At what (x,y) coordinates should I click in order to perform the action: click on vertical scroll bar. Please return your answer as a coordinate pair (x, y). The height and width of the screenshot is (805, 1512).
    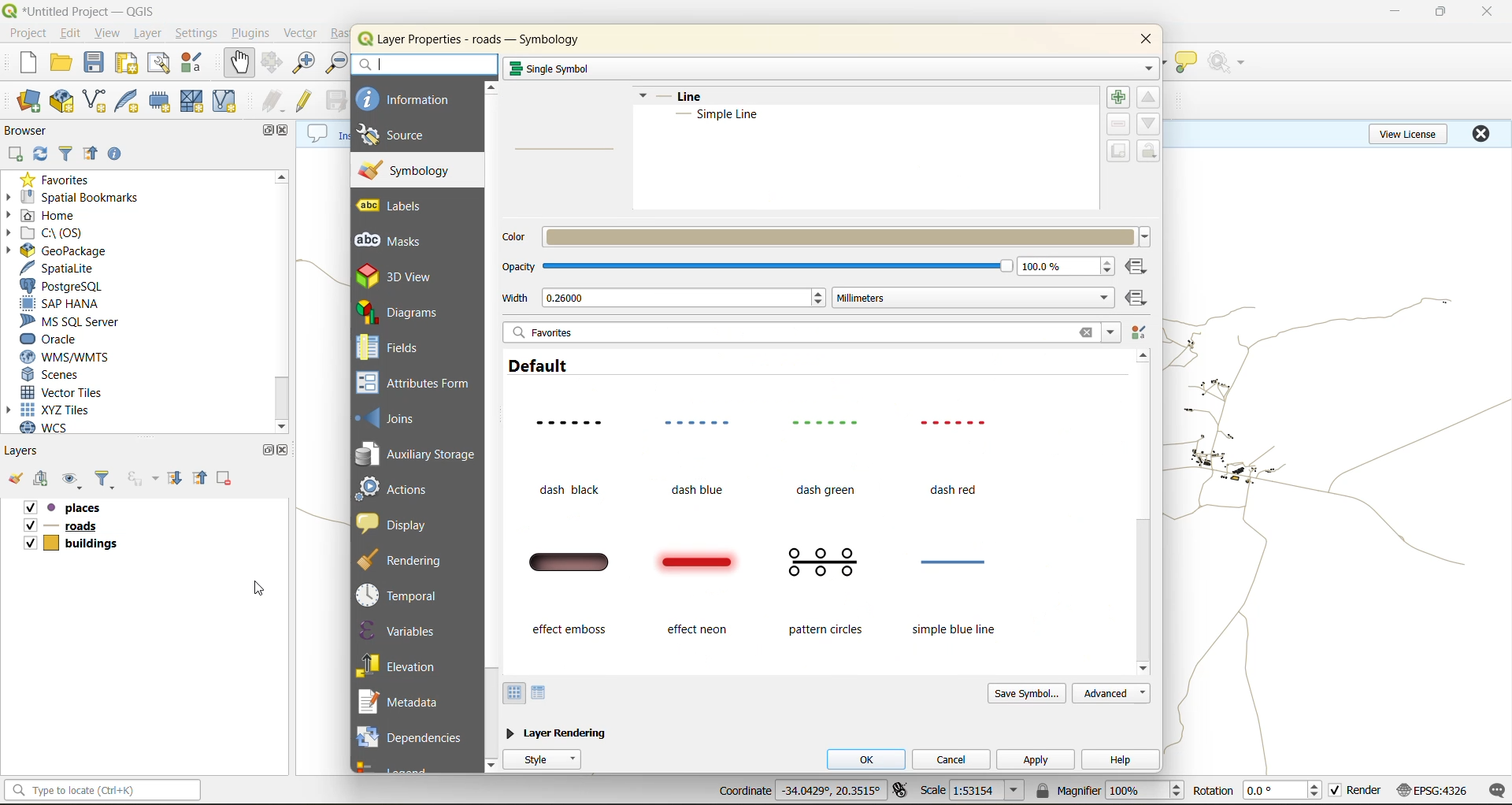
    Looking at the image, I should click on (1144, 588).